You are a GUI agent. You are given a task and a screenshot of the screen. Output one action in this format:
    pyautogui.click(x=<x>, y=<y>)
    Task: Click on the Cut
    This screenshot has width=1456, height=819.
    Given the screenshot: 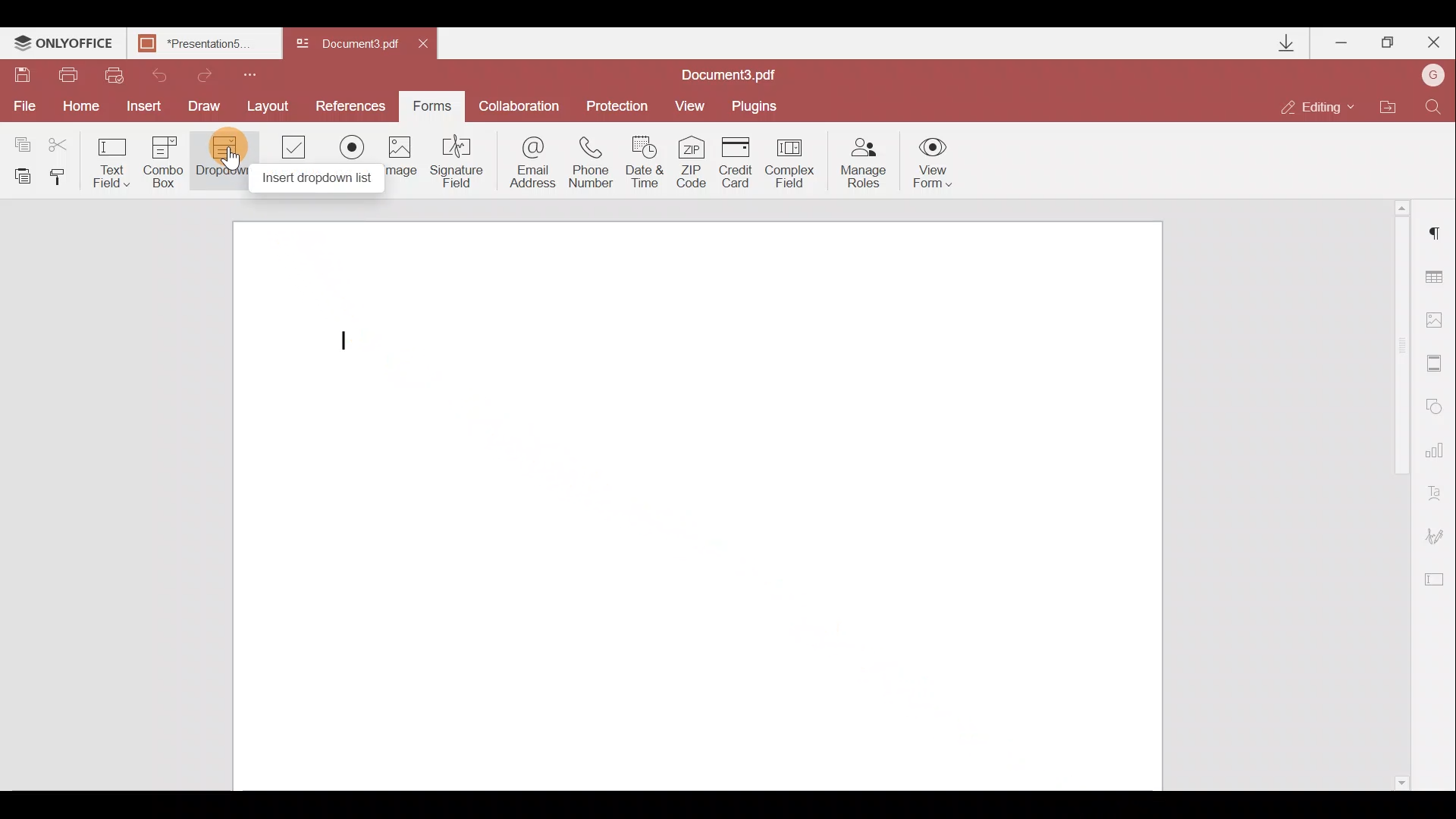 What is the action you would take?
    pyautogui.click(x=67, y=142)
    